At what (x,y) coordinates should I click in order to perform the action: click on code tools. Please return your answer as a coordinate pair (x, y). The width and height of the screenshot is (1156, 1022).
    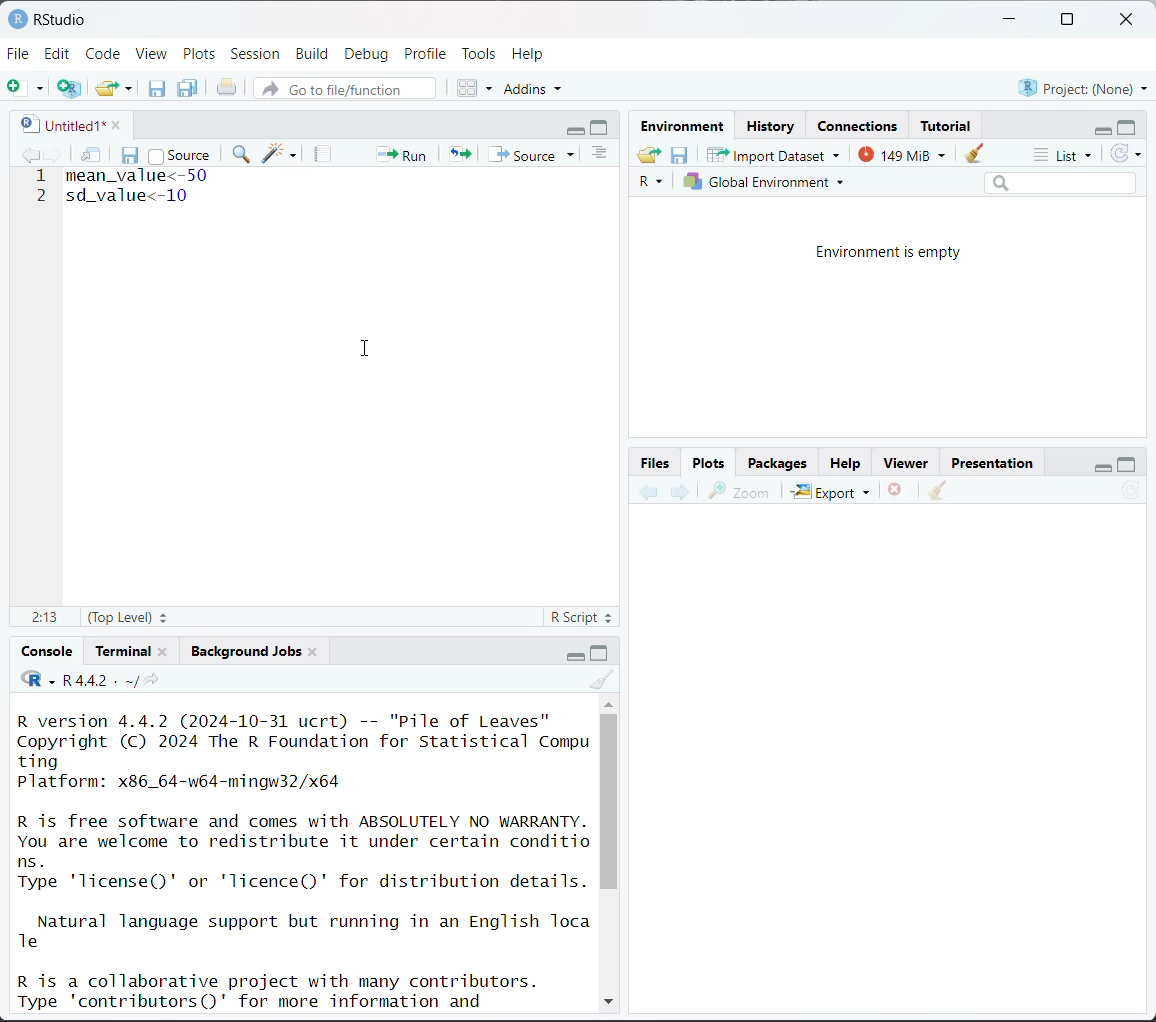
    Looking at the image, I should click on (280, 153).